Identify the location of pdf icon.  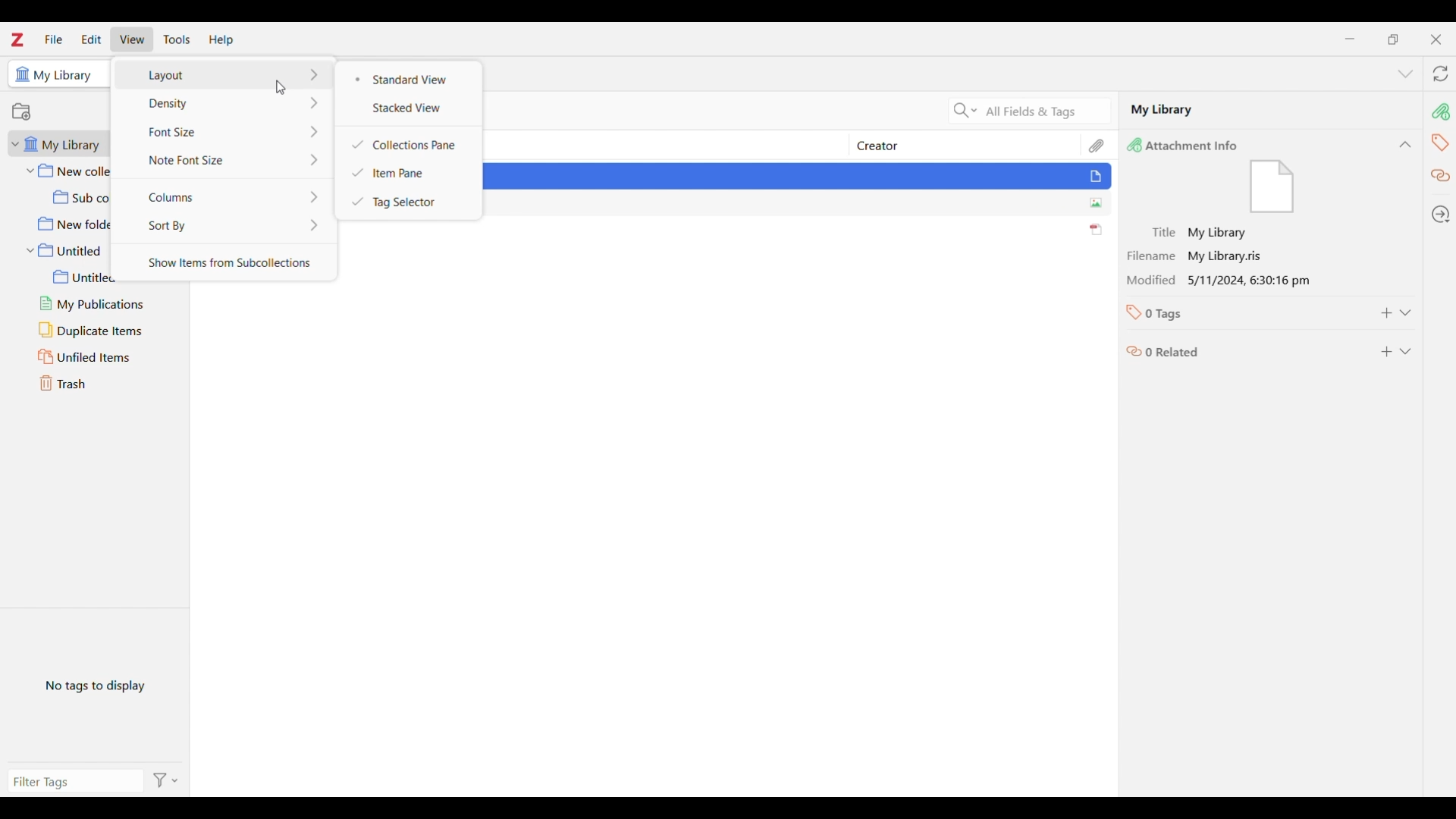
(1096, 230).